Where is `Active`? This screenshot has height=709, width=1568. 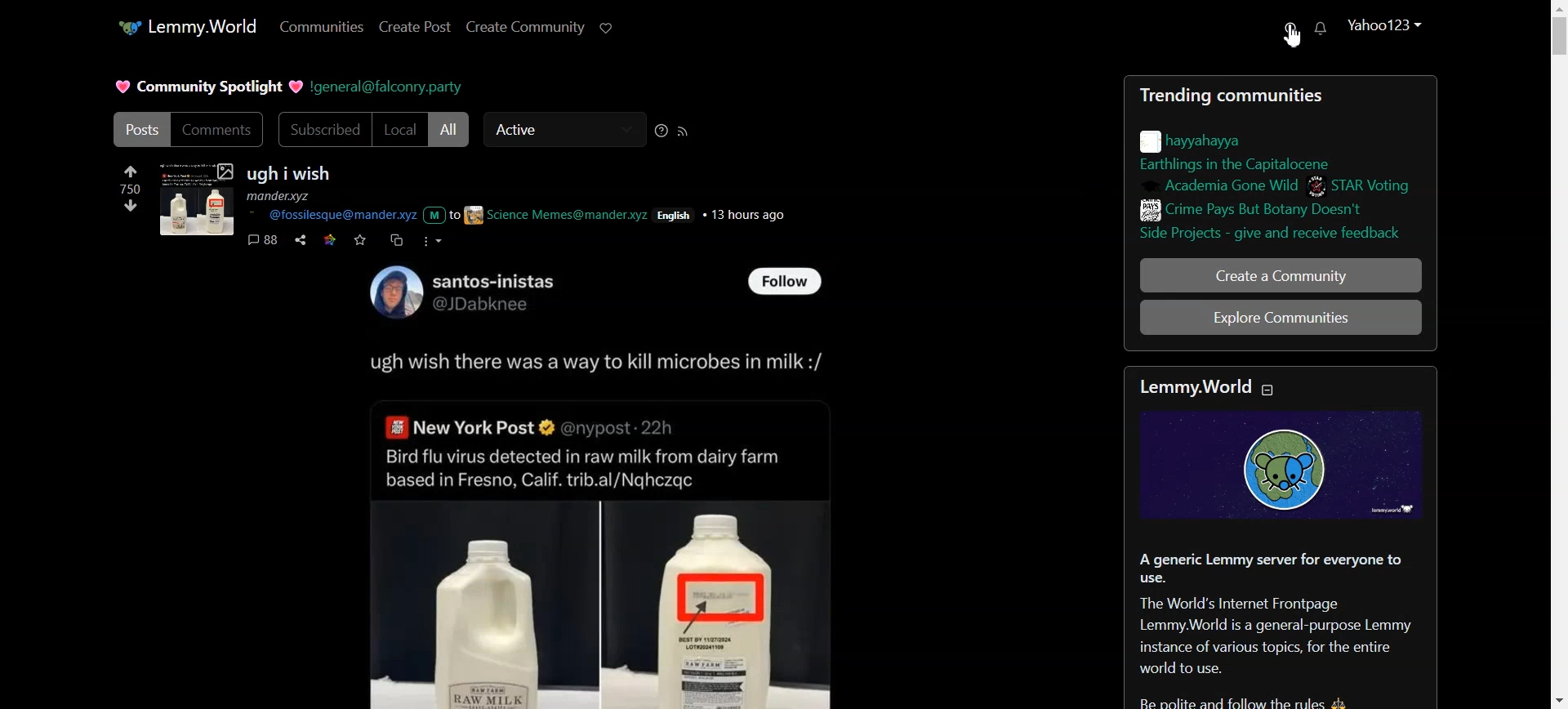 Active is located at coordinates (561, 130).